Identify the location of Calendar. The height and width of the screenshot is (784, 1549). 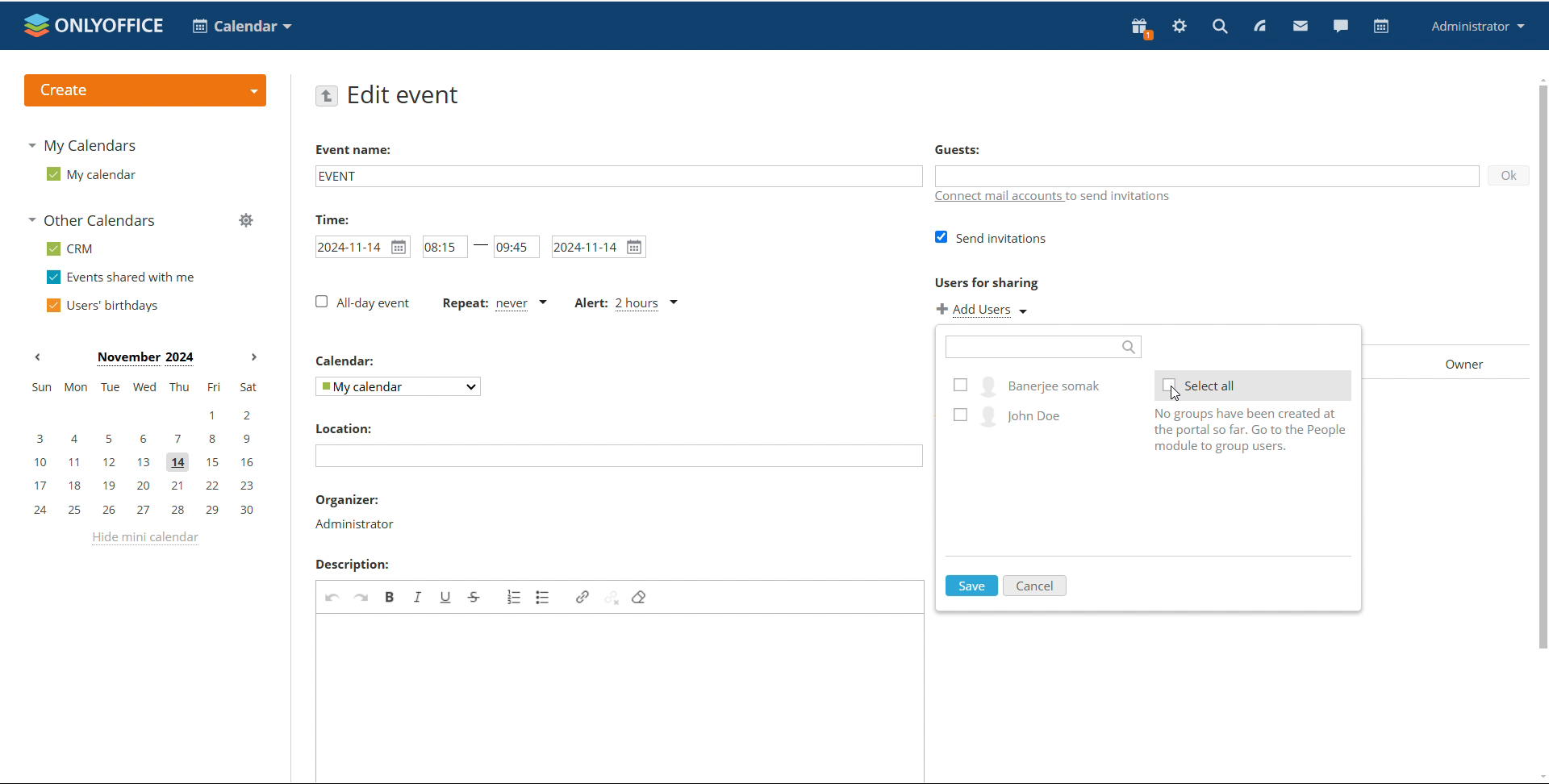
(347, 360).